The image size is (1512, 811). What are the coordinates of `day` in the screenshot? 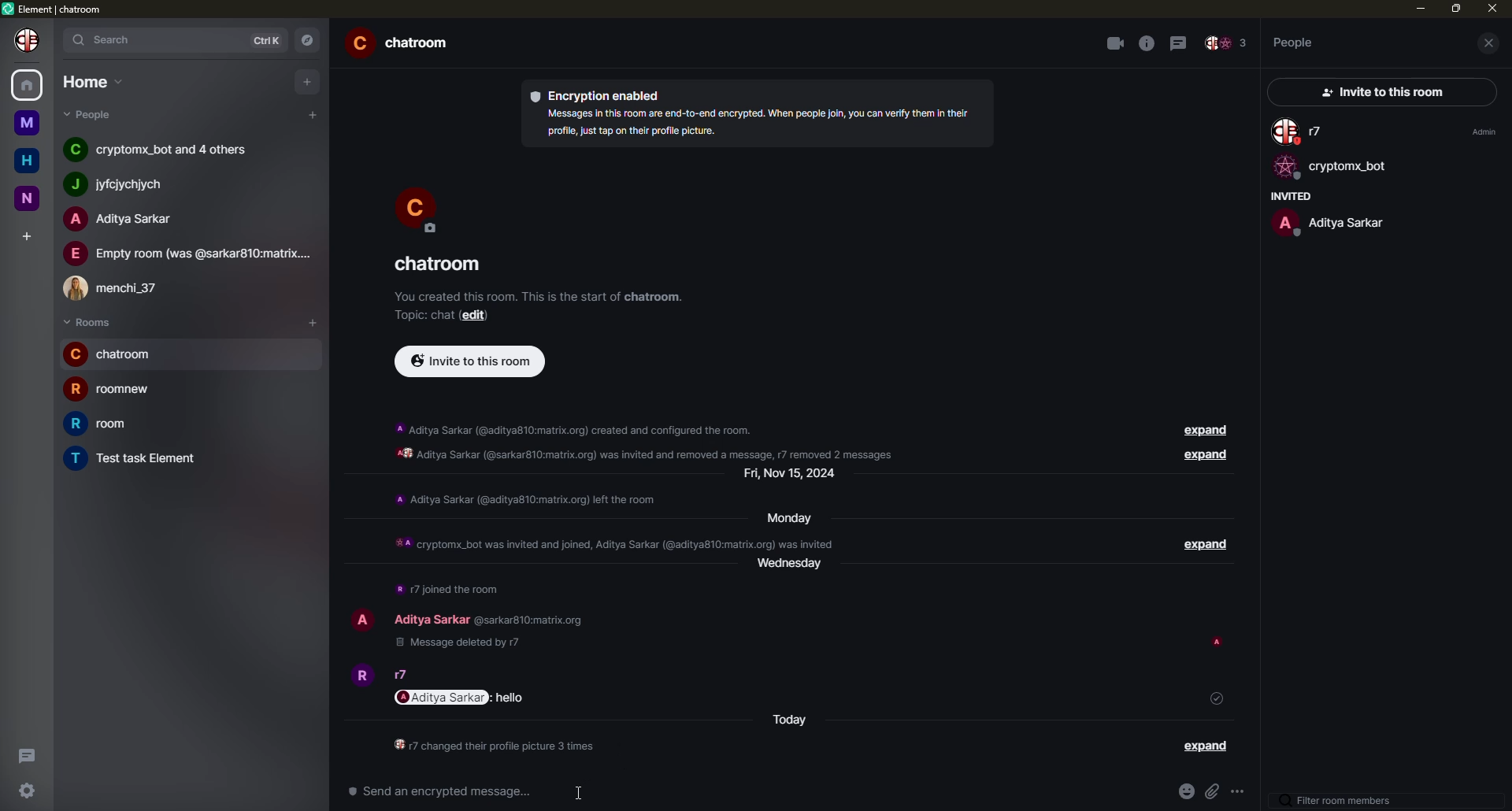 It's located at (791, 721).